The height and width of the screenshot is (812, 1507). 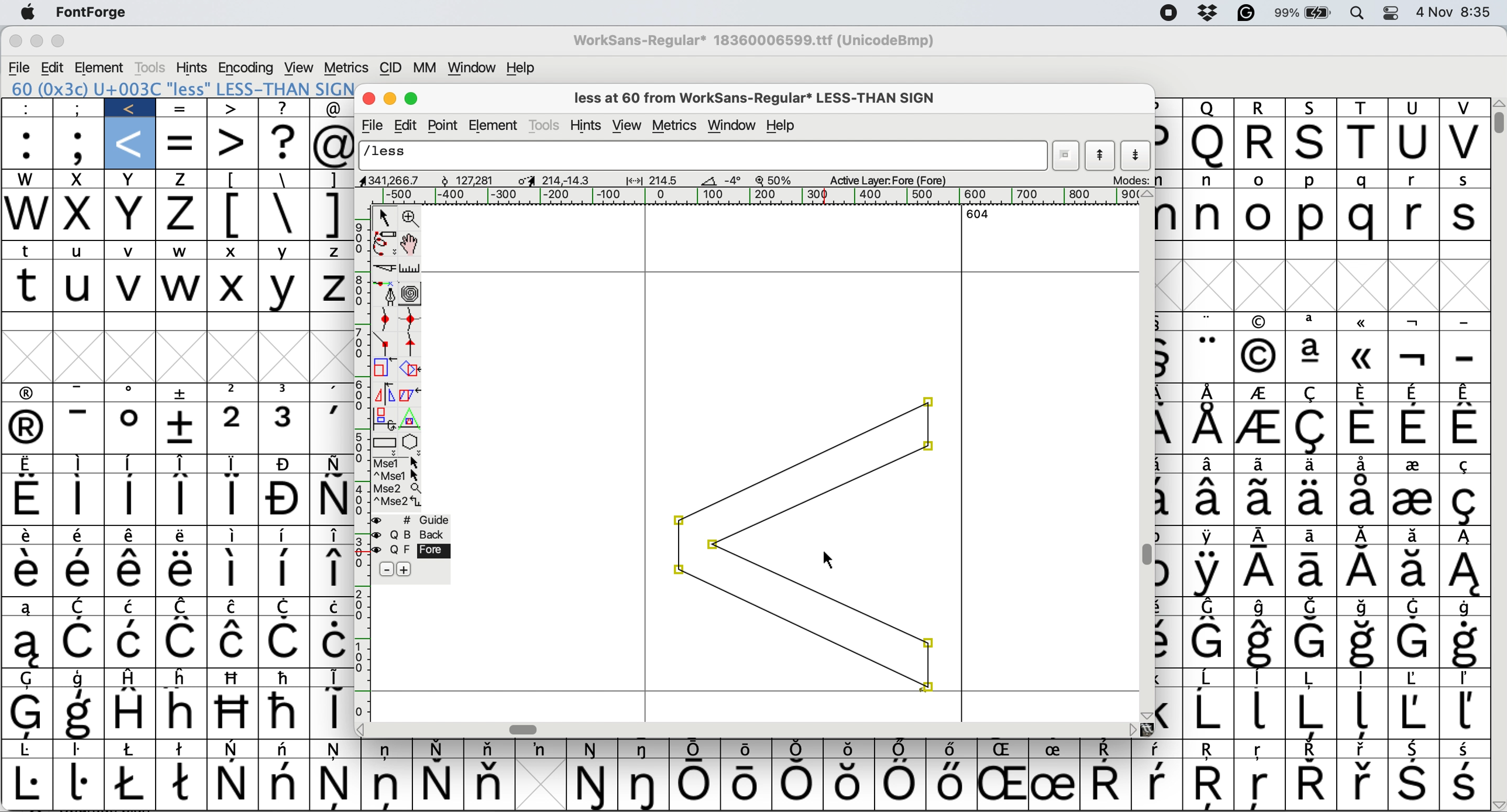 I want to click on Symbol, so click(x=182, y=536).